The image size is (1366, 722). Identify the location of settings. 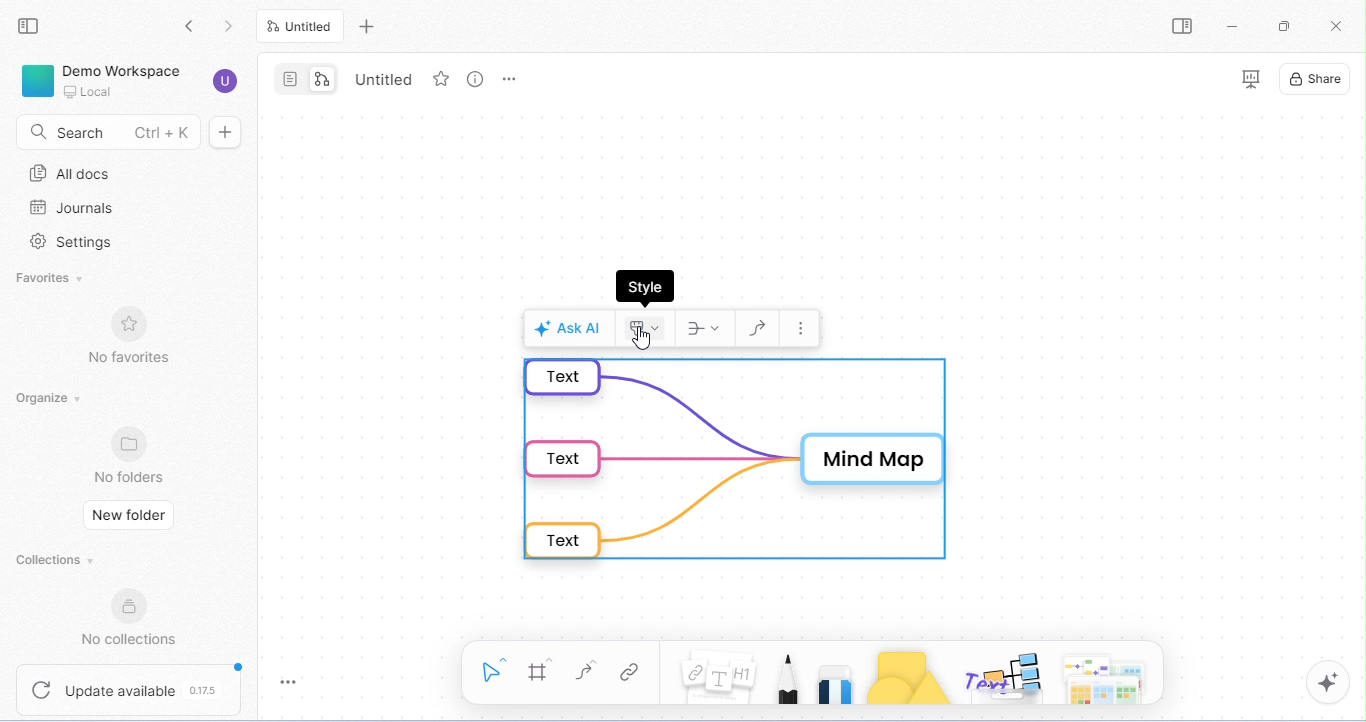
(73, 241).